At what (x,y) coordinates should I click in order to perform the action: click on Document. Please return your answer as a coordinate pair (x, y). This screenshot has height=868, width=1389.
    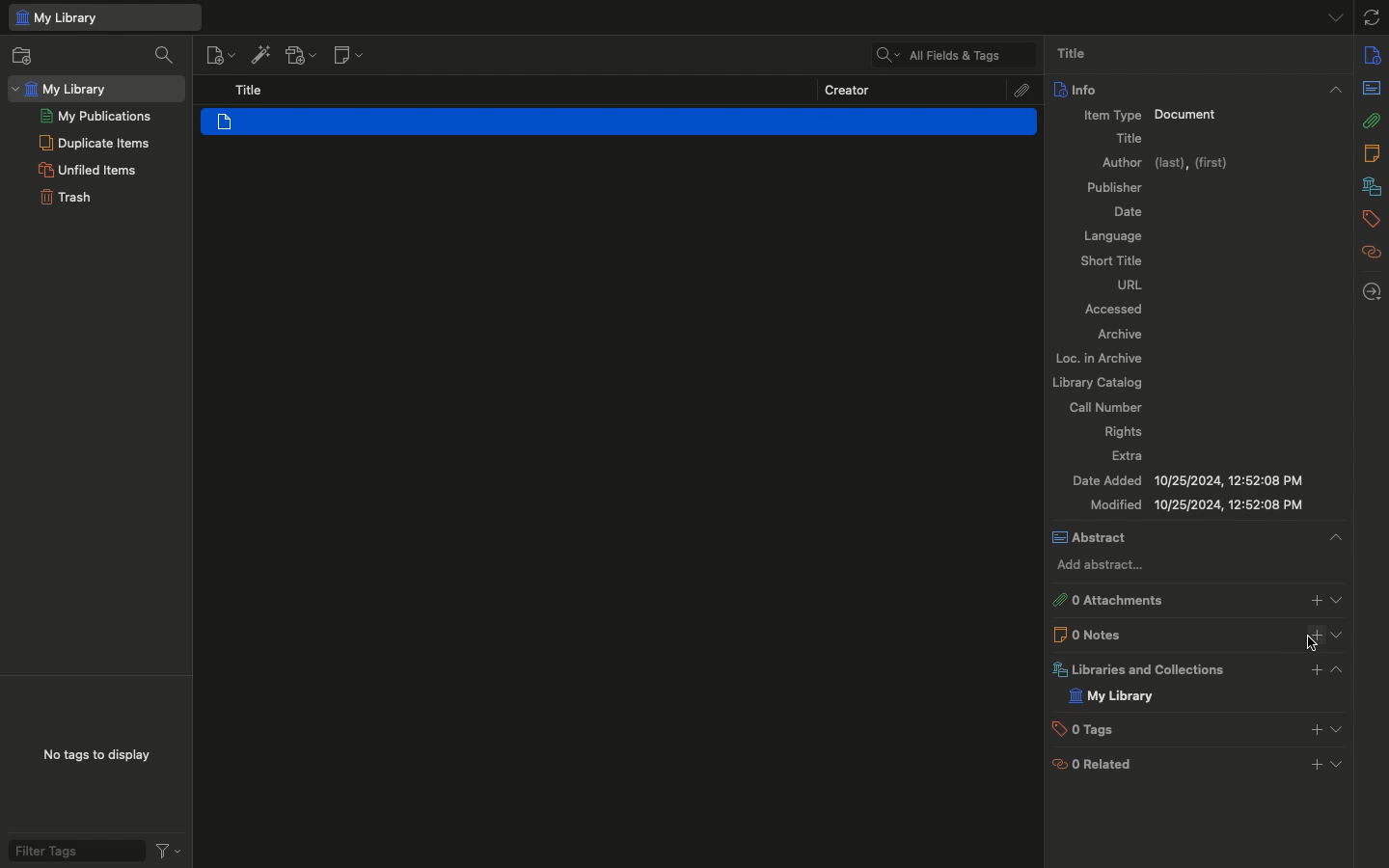
    Looking at the image, I should click on (1186, 116).